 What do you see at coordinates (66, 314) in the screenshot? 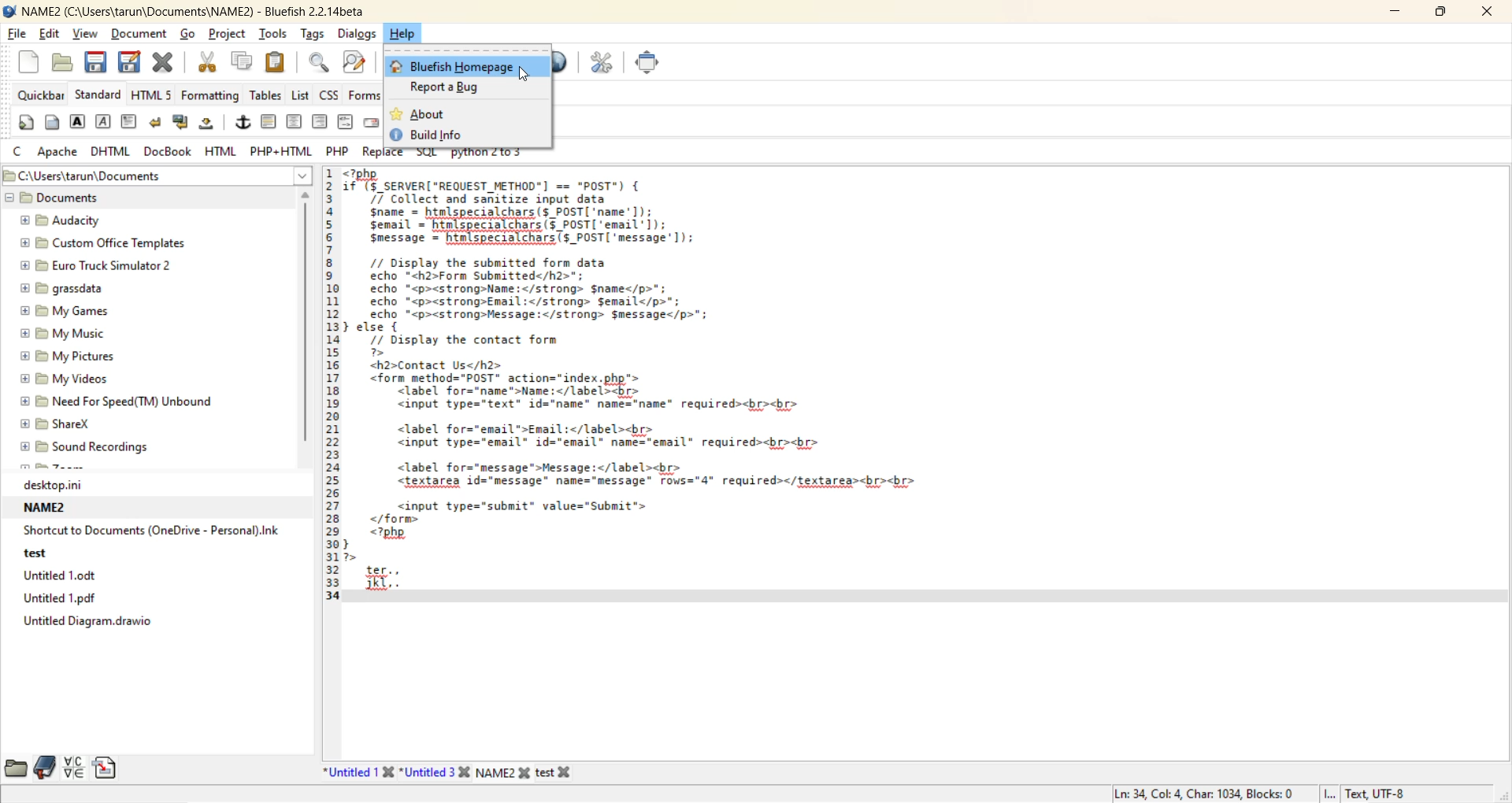
I see `My Games` at bounding box center [66, 314].